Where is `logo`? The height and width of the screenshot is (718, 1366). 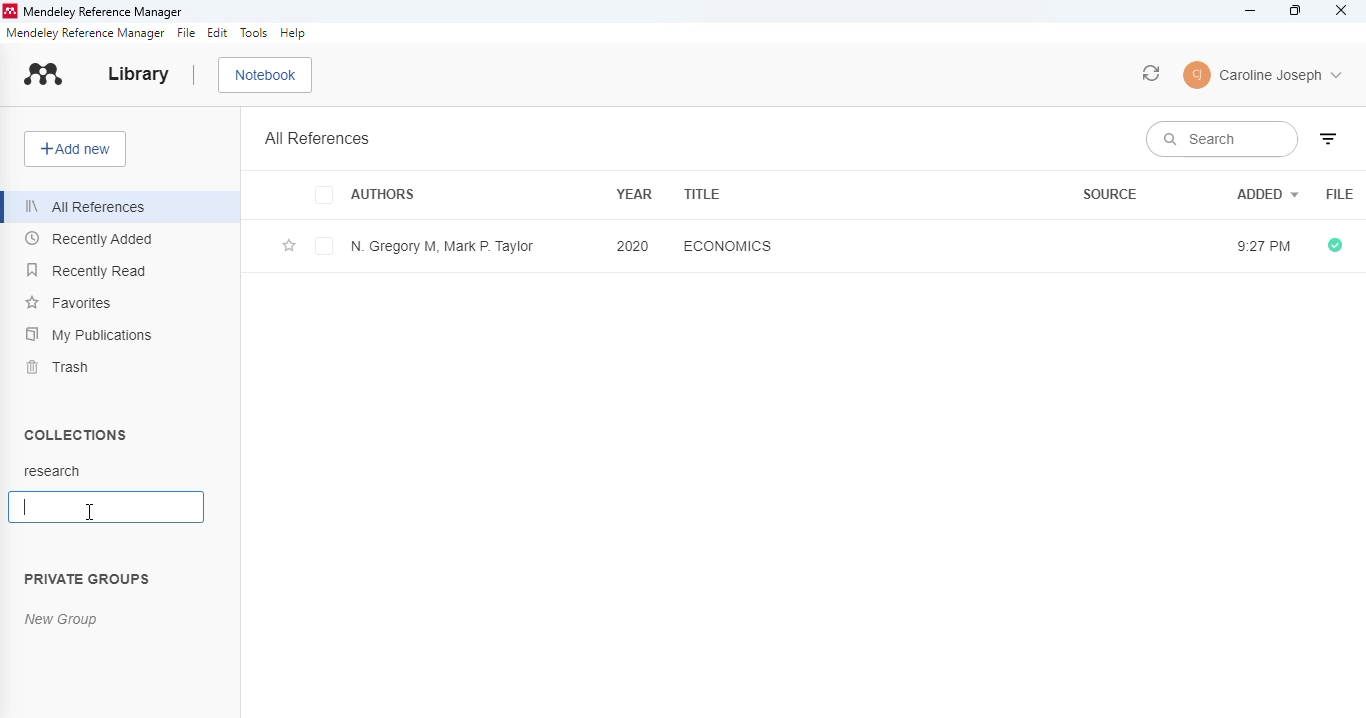 logo is located at coordinates (9, 12).